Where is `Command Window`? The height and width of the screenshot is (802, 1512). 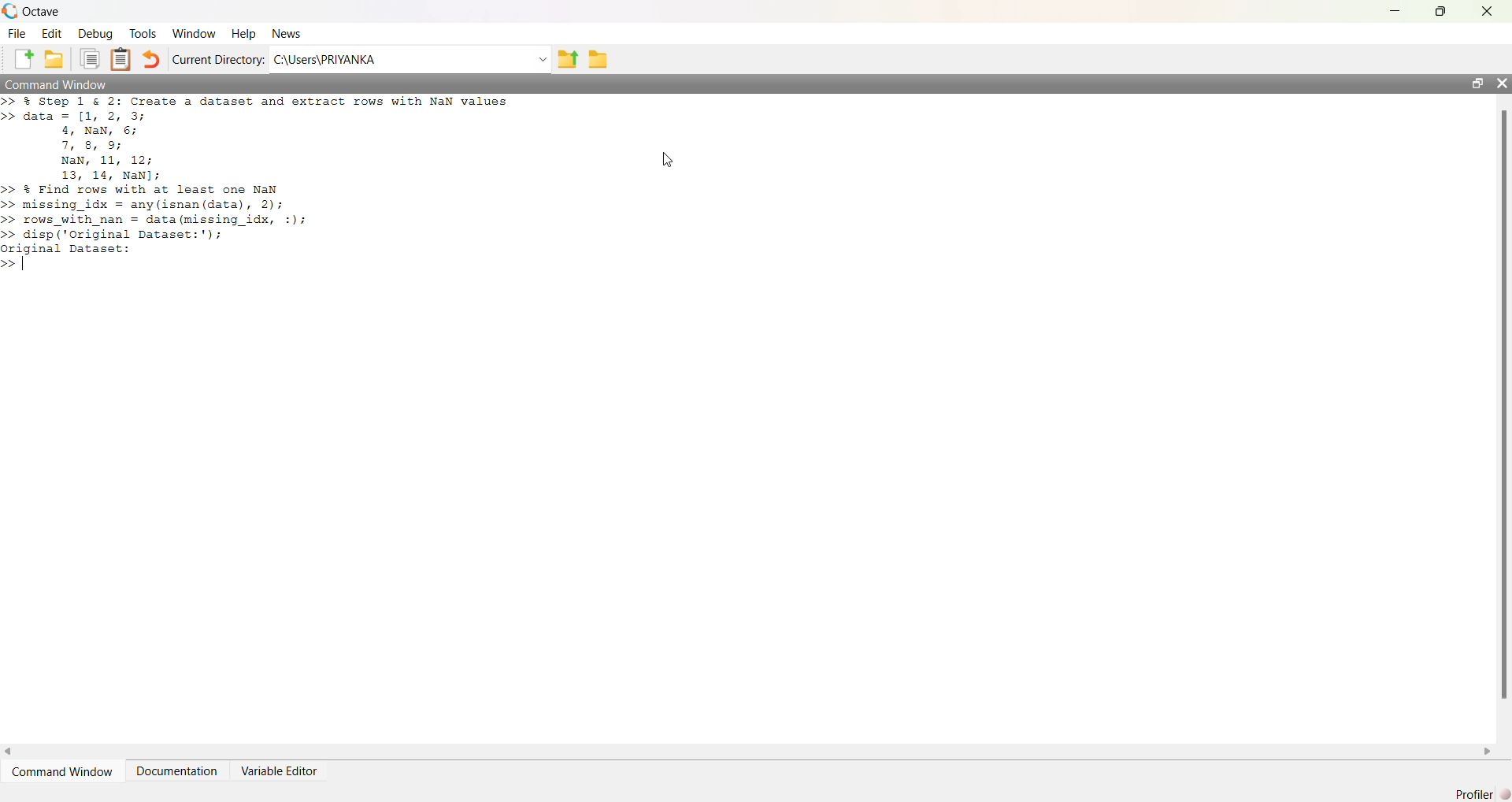
Command Window is located at coordinates (57, 84).